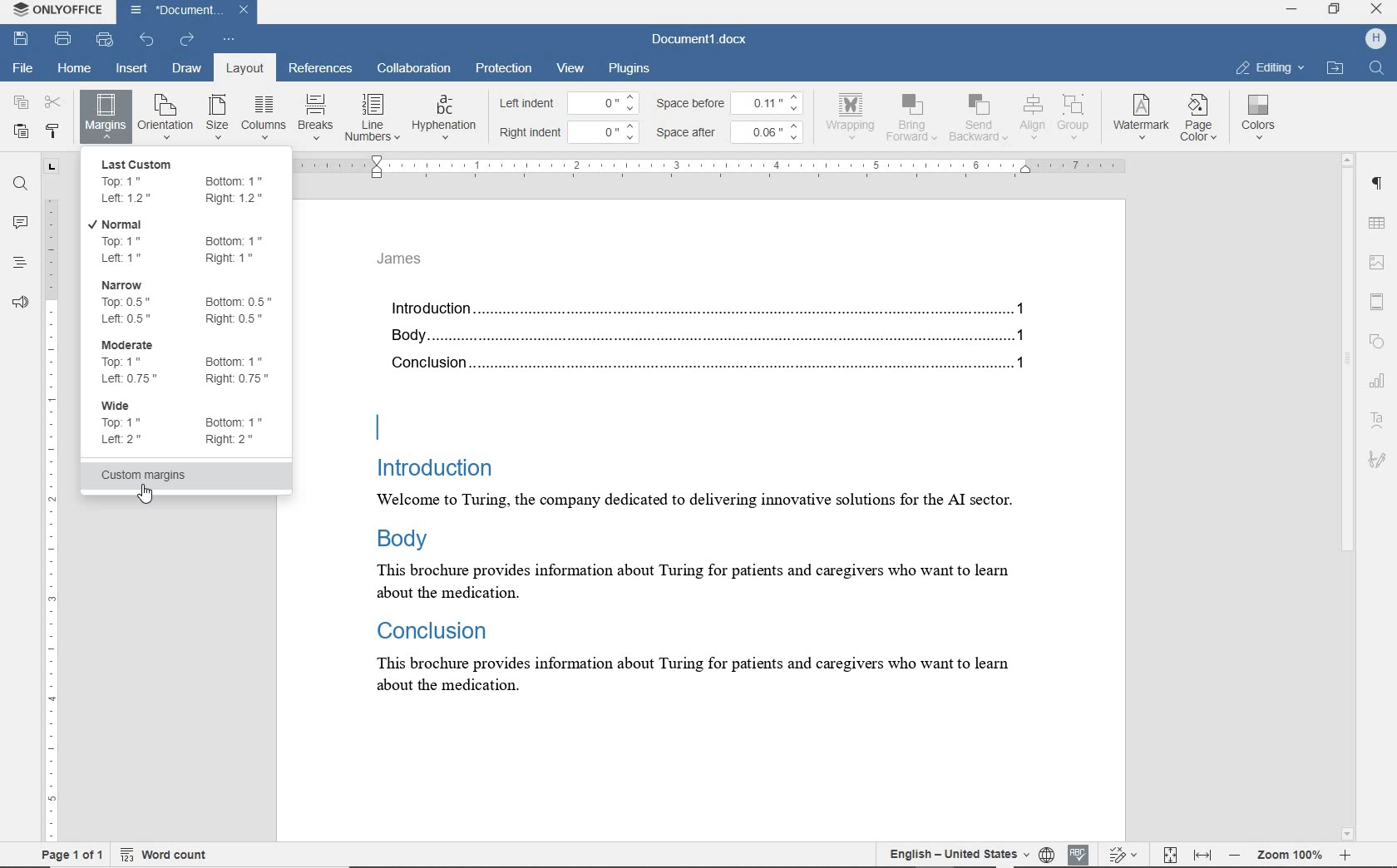 The image size is (1397, 868). Describe the element at coordinates (1030, 116) in the screenshot. I see `align` at that location.